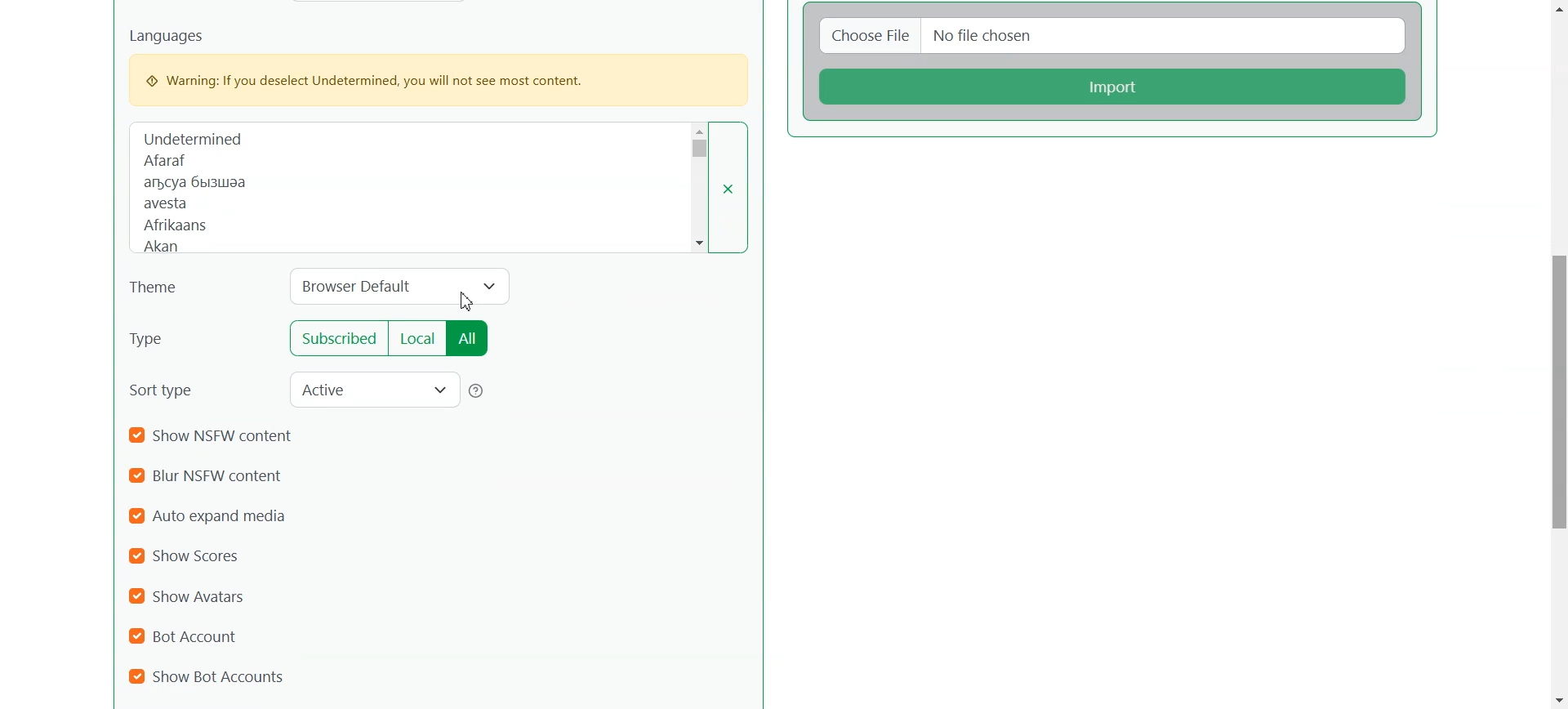  What do you see at coordinates (478, 391) in the screenshot?
I see `Sorting Help` at bounding box center [478, 391].